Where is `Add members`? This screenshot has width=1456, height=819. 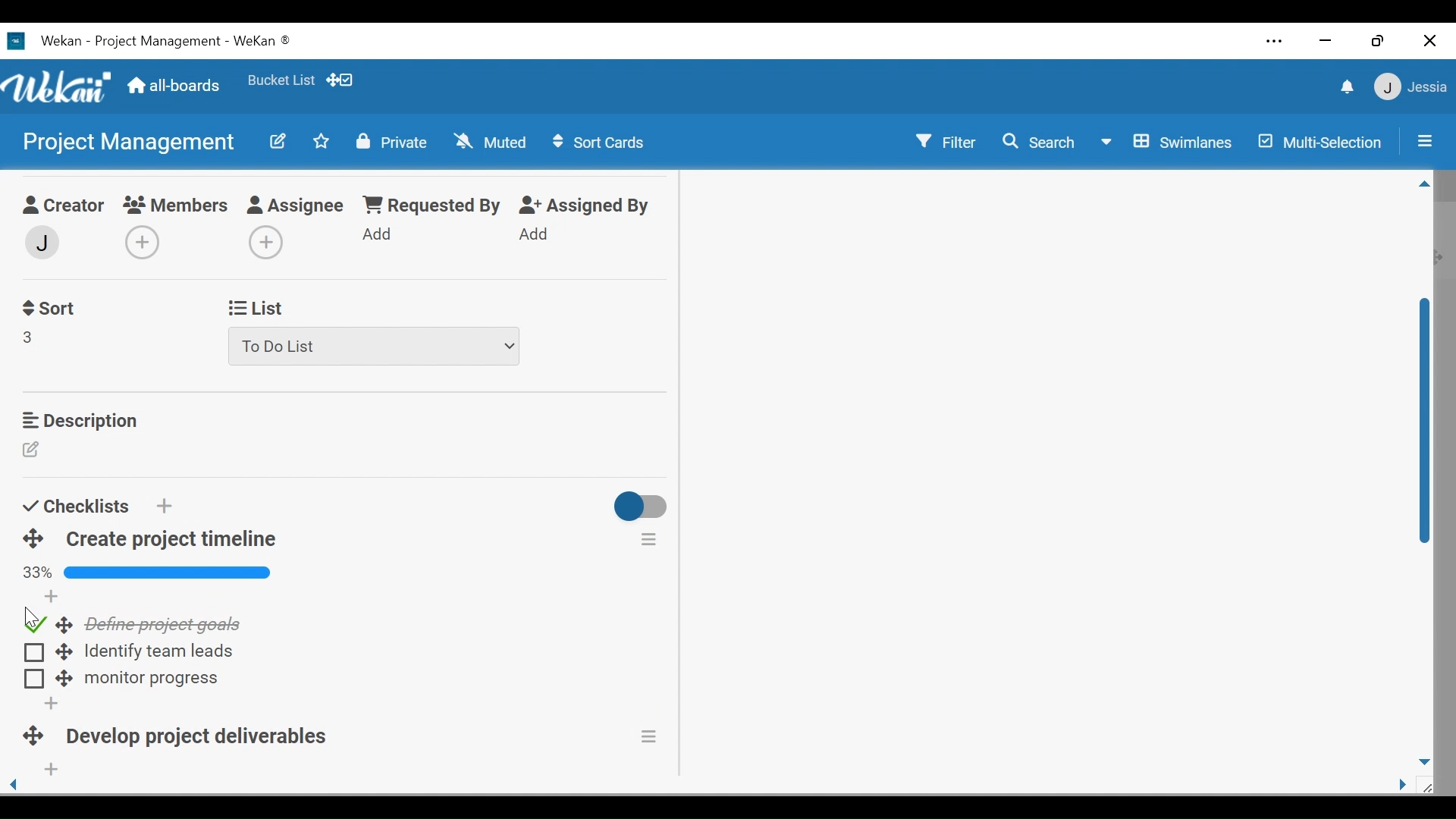 Add members is located at coordinates (147, 244).